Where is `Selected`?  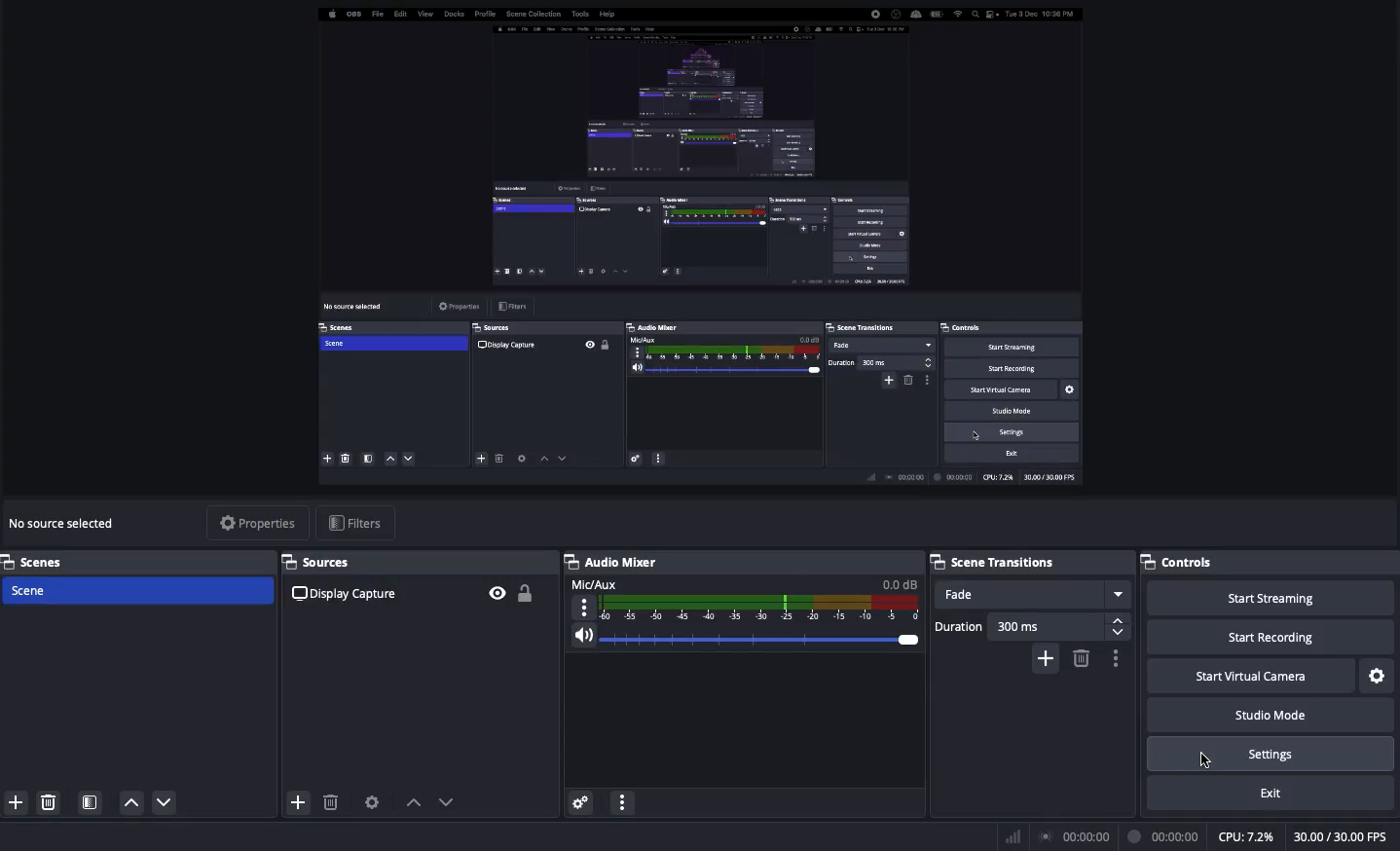
Selected is located at coordinates (694, 248).